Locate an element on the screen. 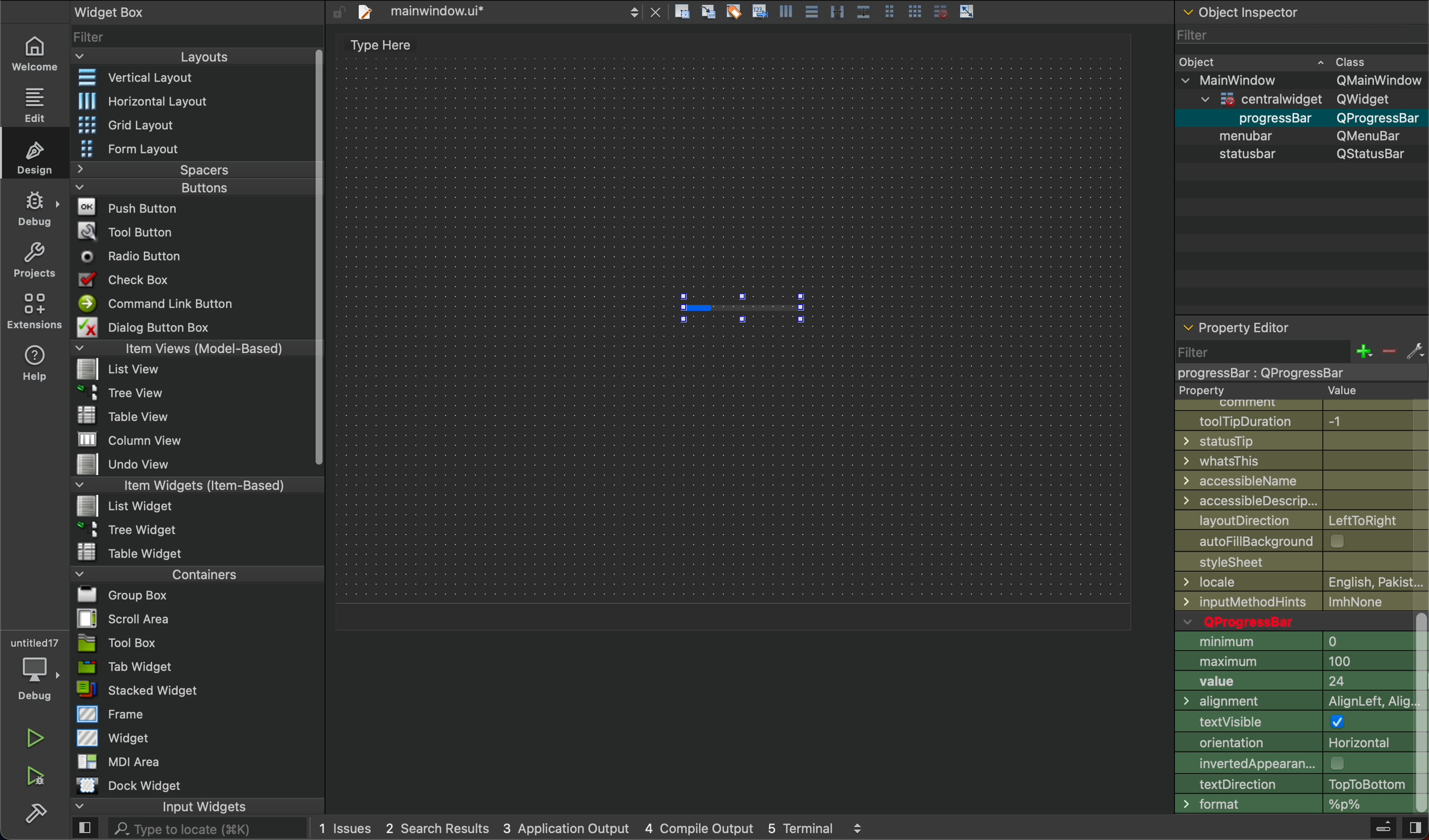 Image resolution: width=1429 pixels, height=840 pixels. format is located at coordinates (1292, 805).